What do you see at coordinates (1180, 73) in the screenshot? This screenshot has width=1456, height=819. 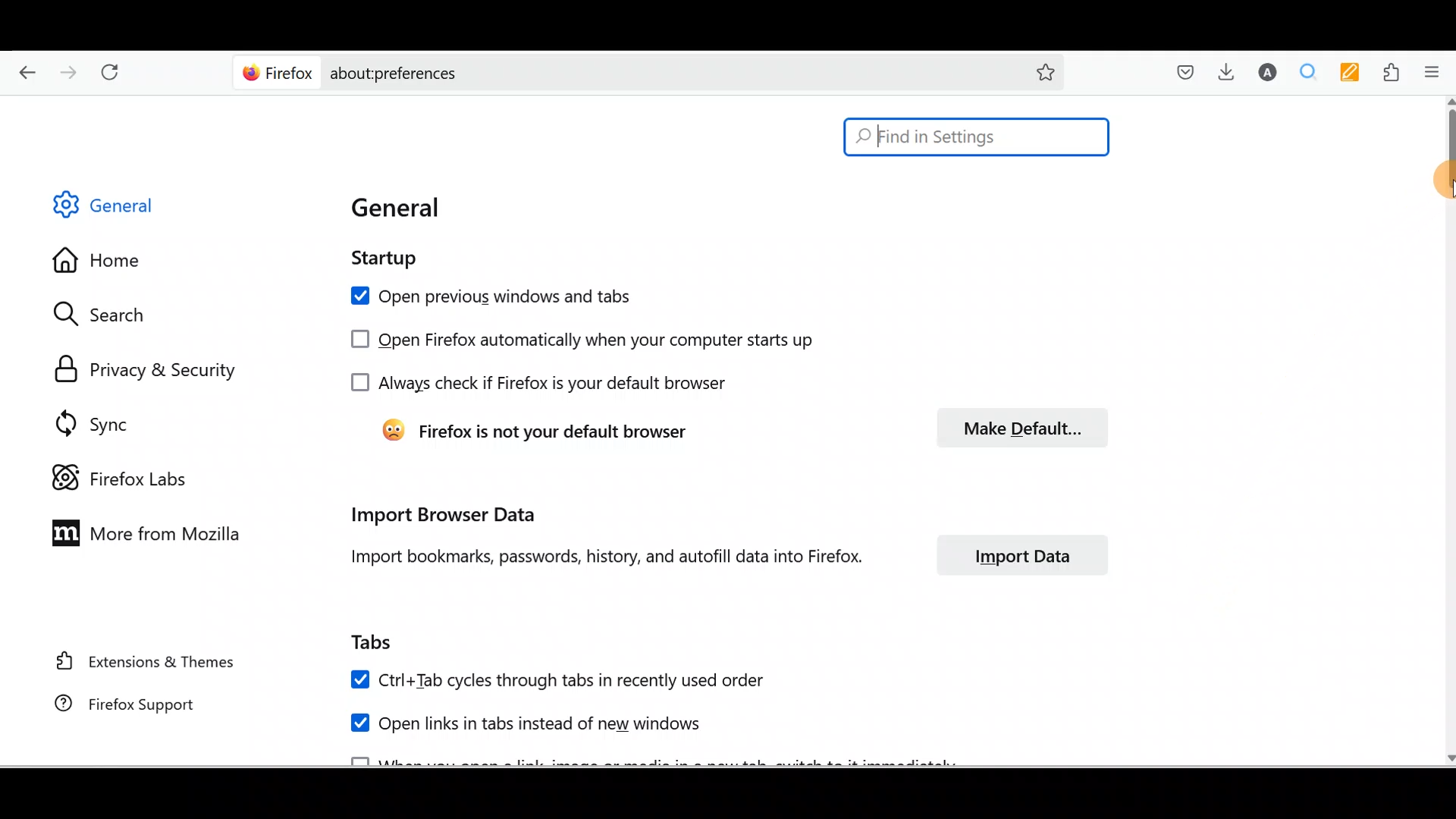 I see `Save to pocket` at bounding box center [1180, 73].